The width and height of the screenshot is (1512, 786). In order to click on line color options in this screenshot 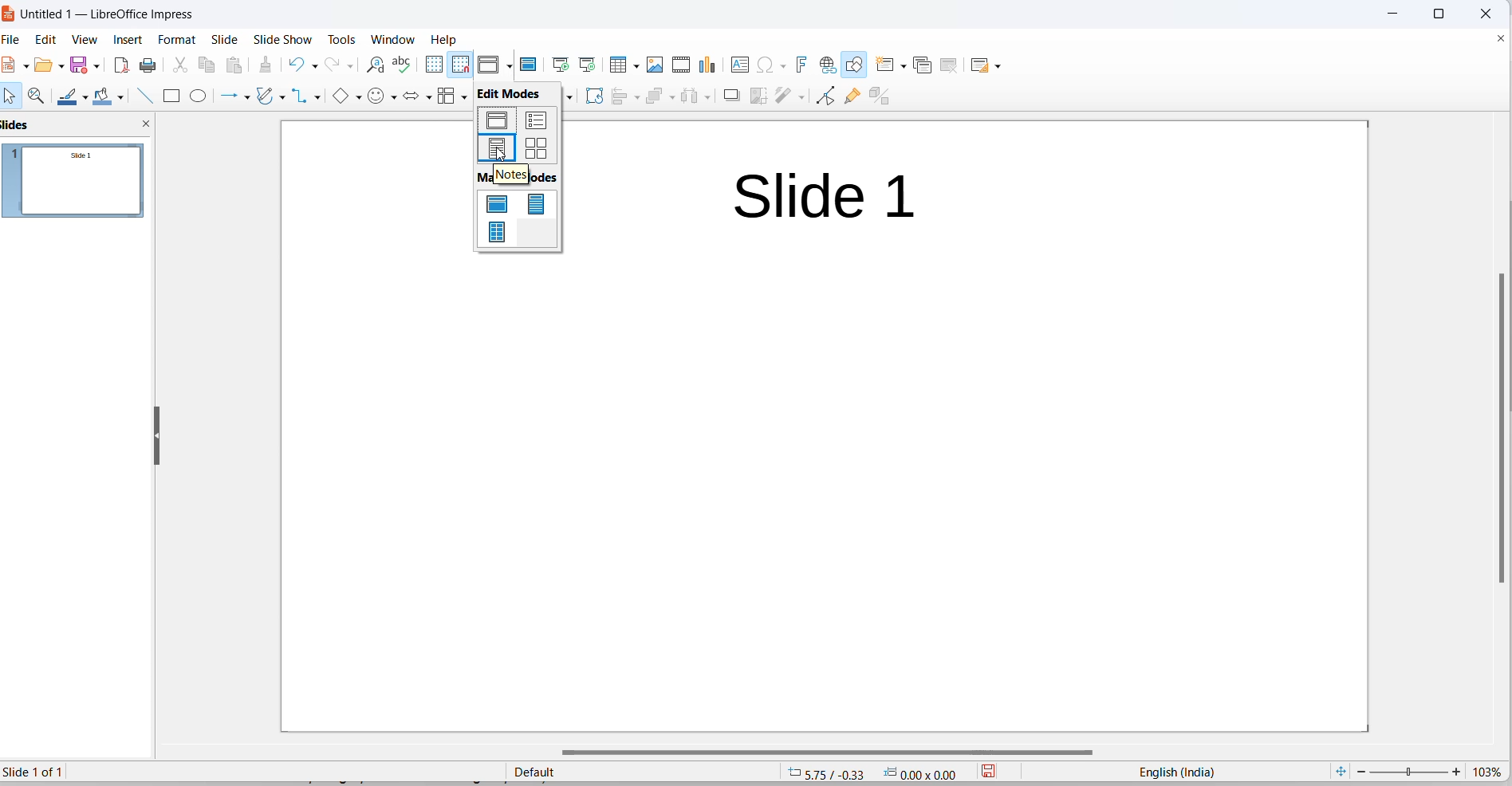, I will do `click(88, 96)`.